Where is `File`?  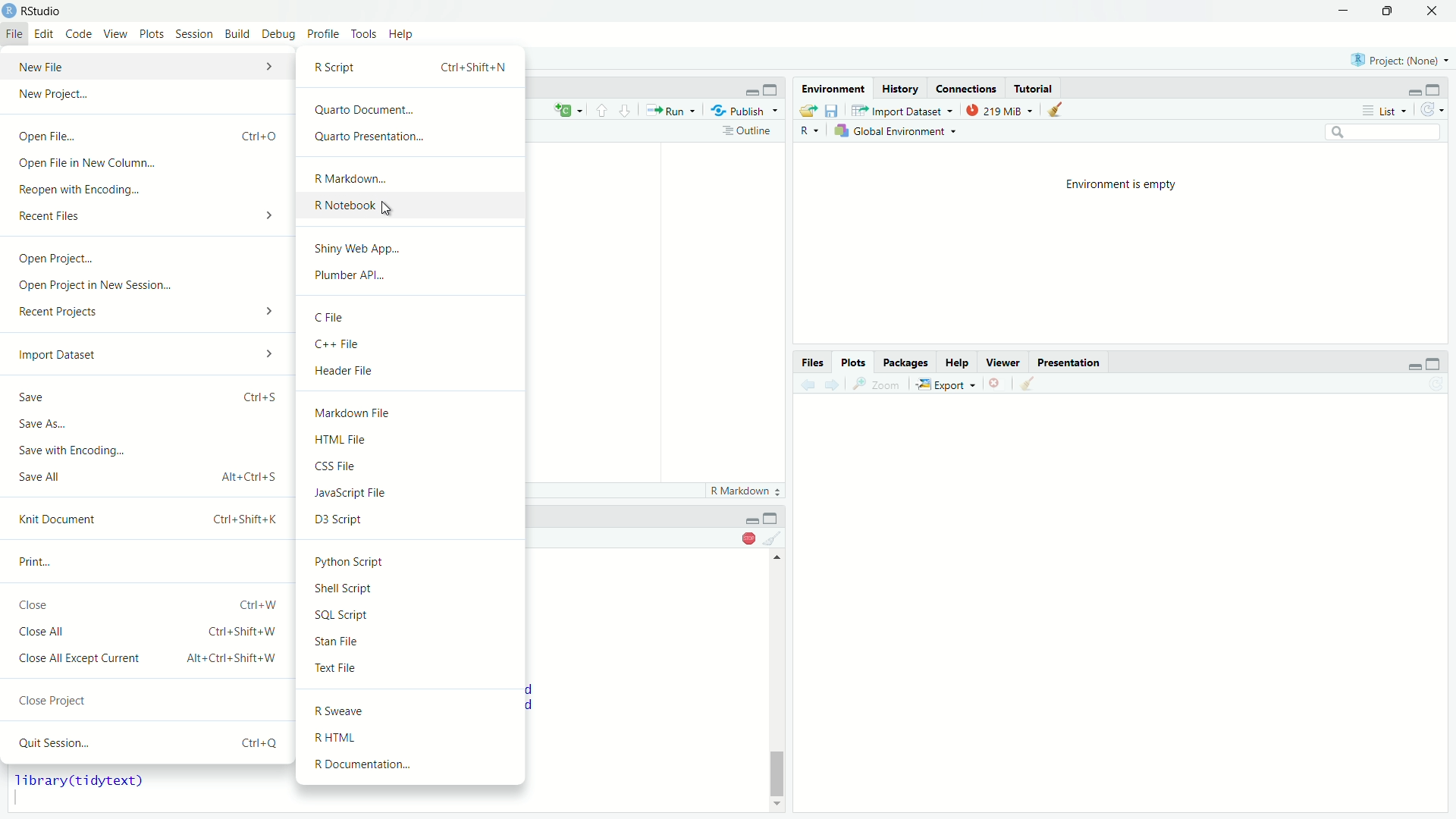 File is located at coordinates (14, 34).